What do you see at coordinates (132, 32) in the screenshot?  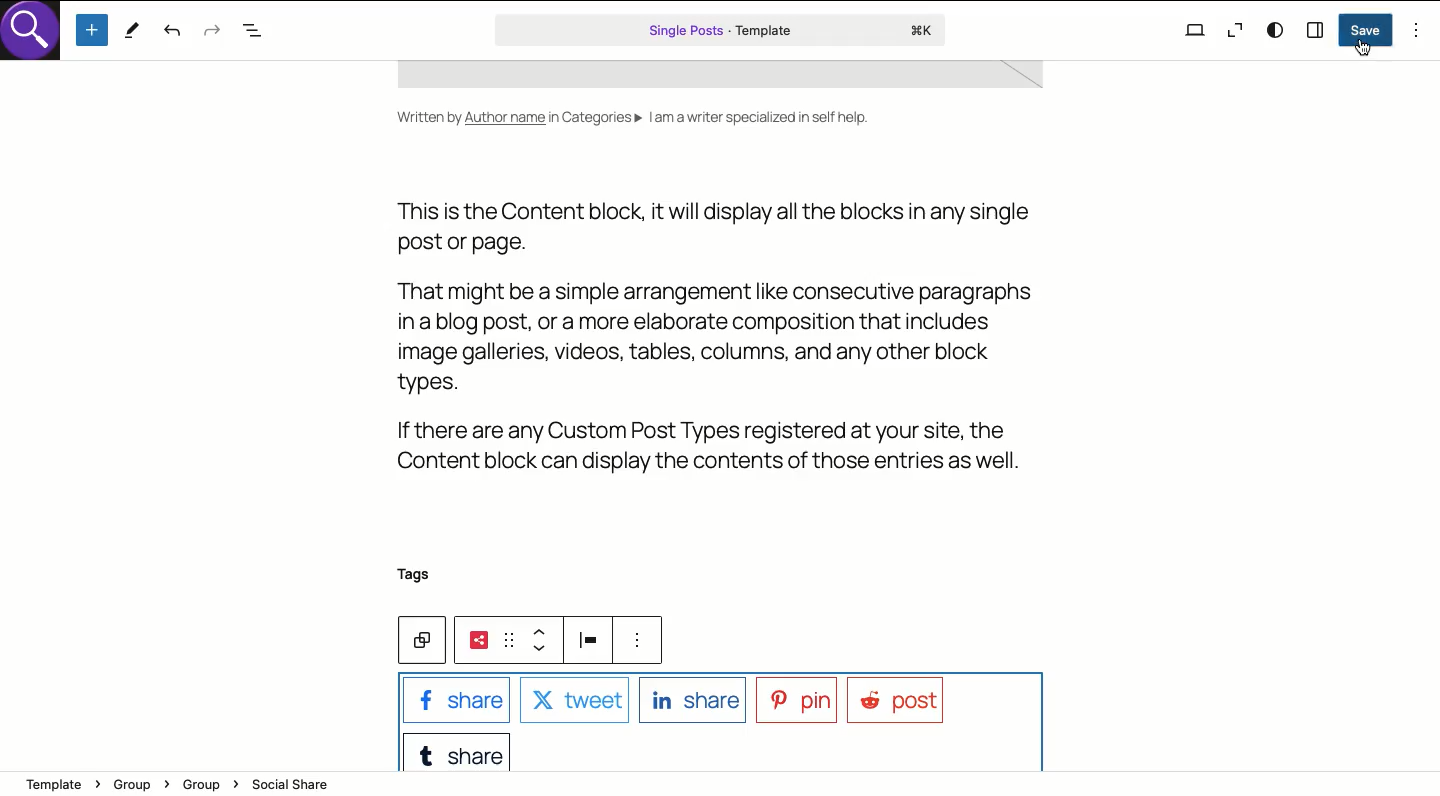 I see `Tools` at bounding box center [132, 32].